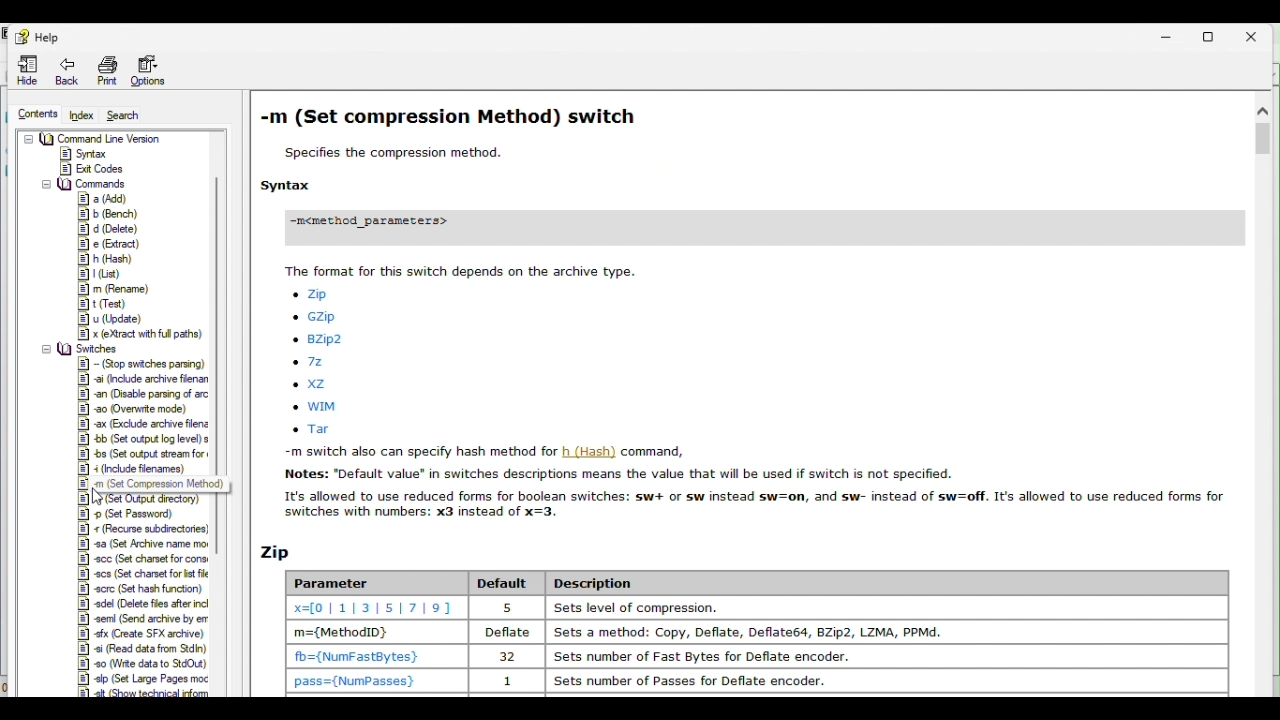 Image resolution: width=1280 pixels, height=720 pixels. What do you see at coordinates (318, 317) in the screenshot?
I see `gzip` at bounding box center [318, 317].